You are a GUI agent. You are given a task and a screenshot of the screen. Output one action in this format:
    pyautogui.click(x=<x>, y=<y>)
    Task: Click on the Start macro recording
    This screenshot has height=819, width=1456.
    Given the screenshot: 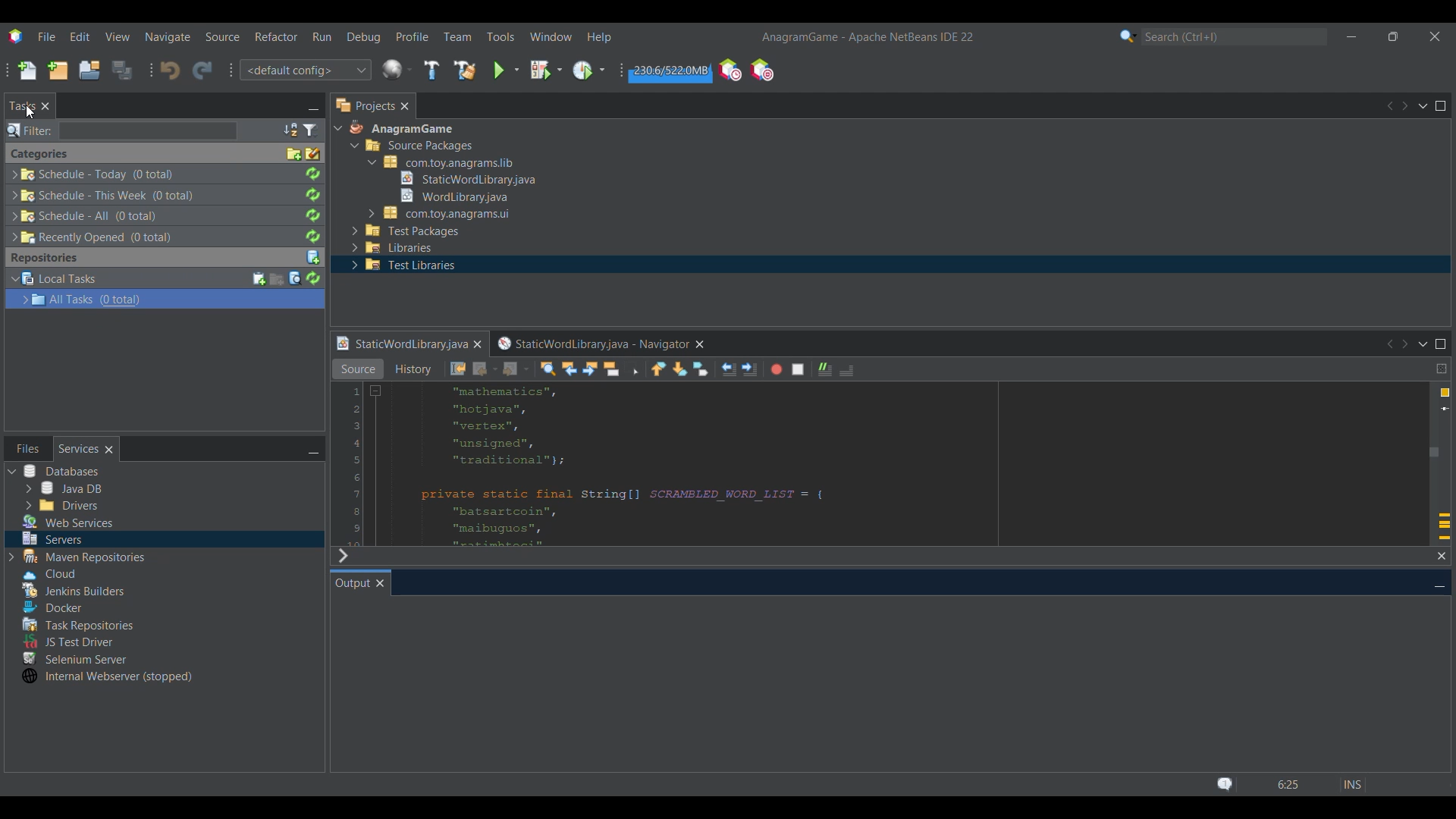 What is the action you would take?
    pyautogui.click(x=777, y=369)
    